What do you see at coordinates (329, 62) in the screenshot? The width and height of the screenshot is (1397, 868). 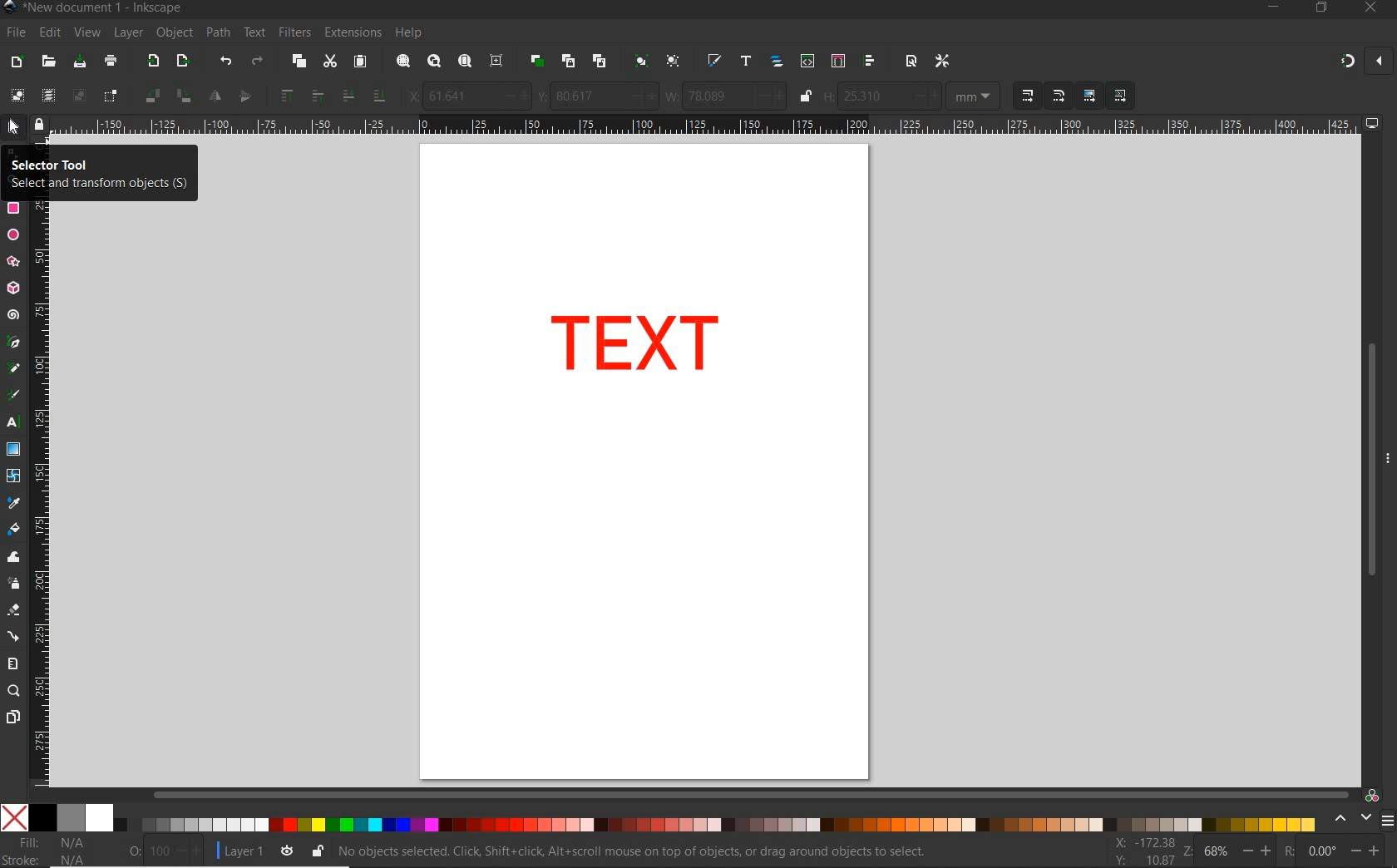 I see `cut` at bounding box center [329, 62].